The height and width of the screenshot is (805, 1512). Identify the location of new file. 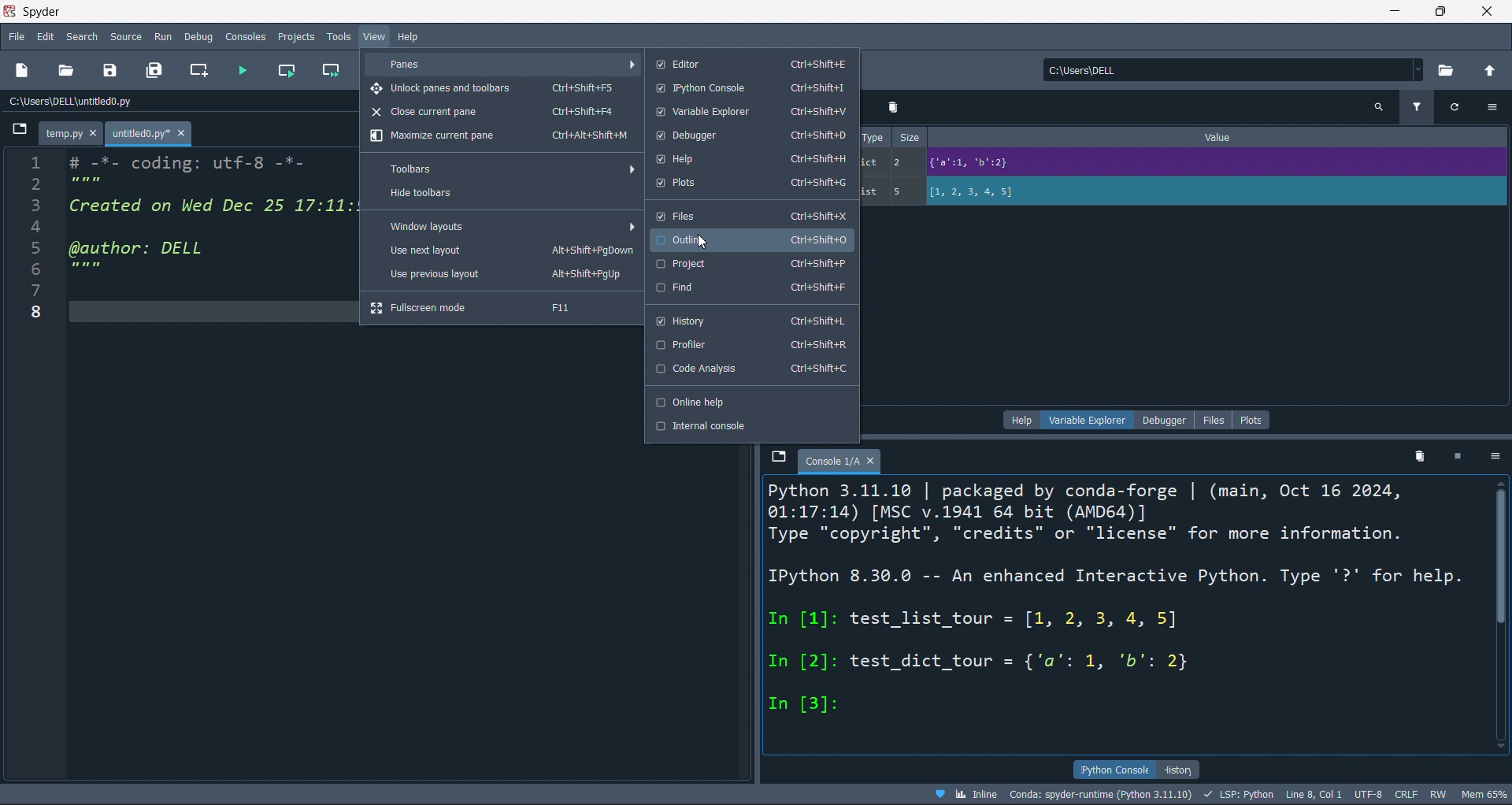
(22, 72).